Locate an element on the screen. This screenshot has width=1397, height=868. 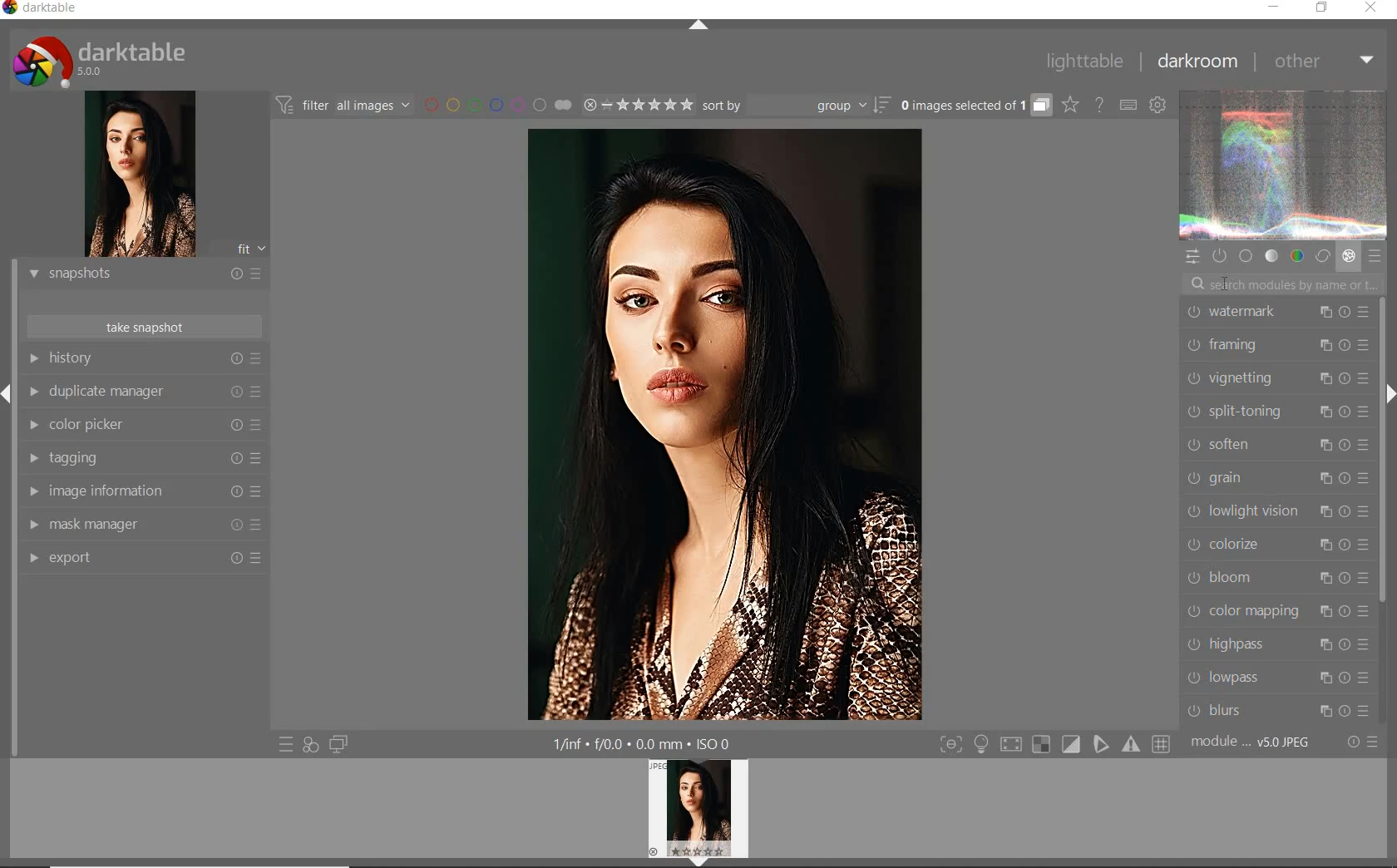
selected image is located at coordinates (722, 427).